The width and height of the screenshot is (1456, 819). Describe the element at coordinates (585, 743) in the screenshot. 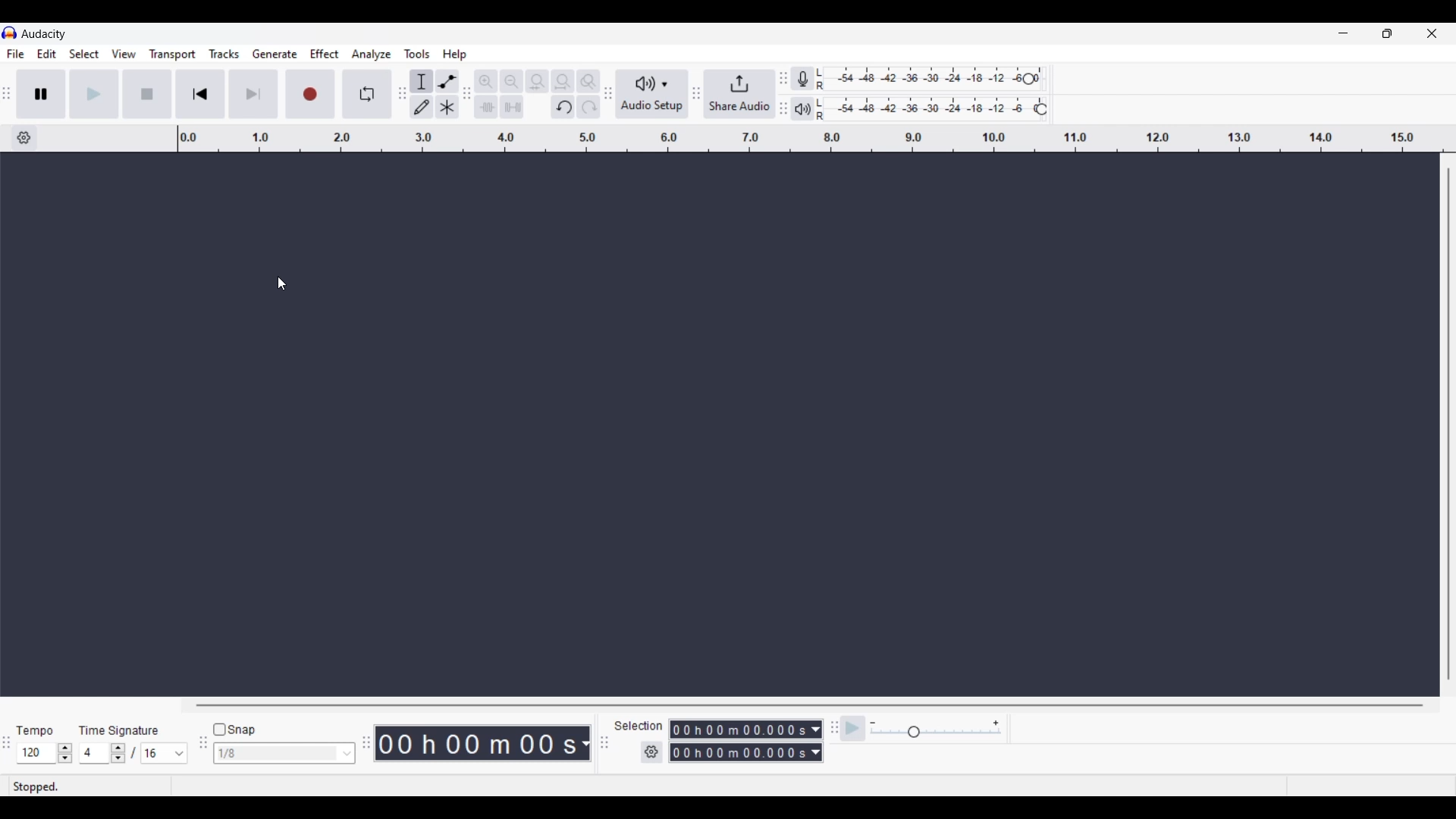

I see `Metrics to calculate recording` at that location.